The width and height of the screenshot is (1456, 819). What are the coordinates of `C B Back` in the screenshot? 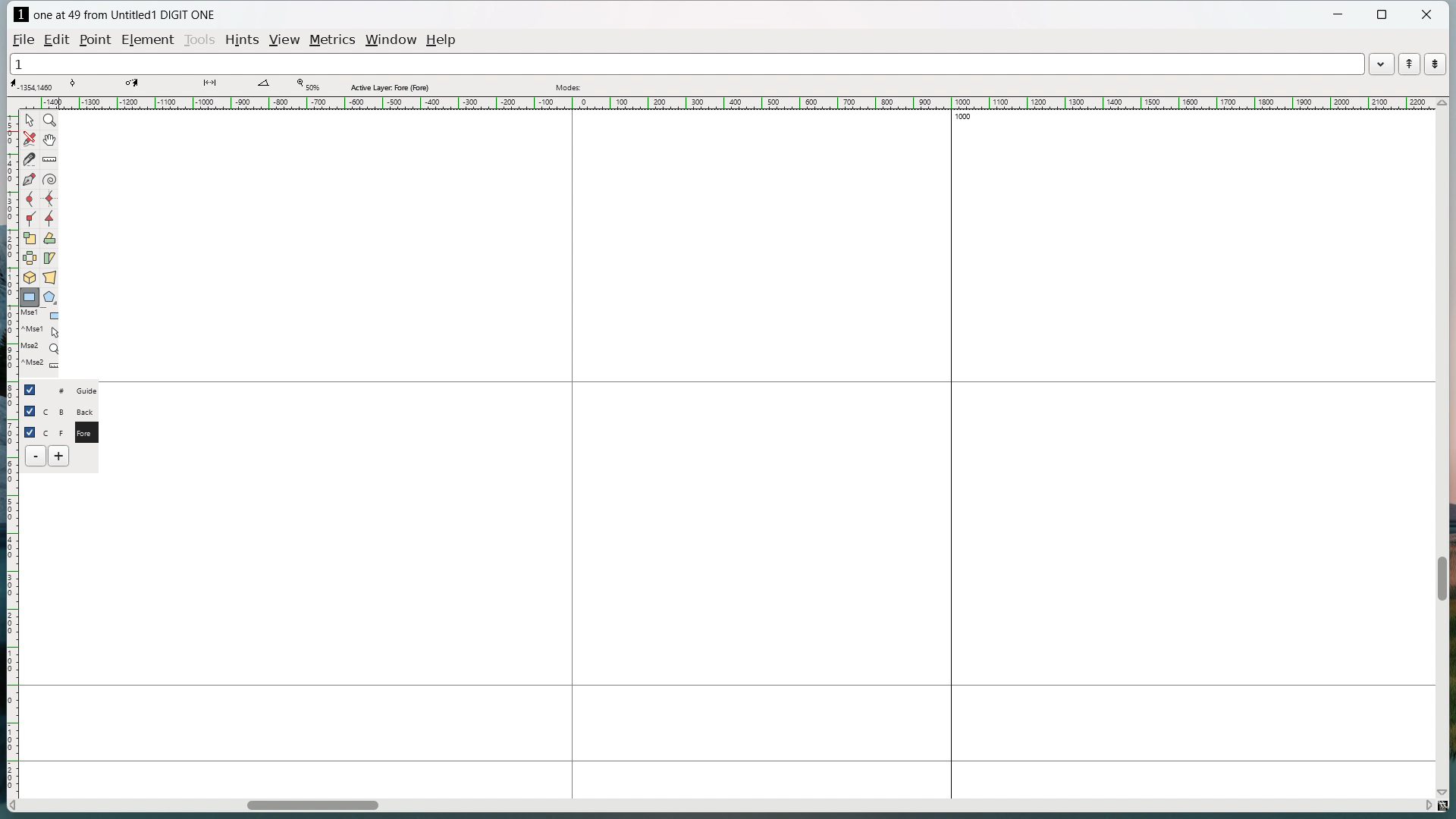 It's located at (71, 409).